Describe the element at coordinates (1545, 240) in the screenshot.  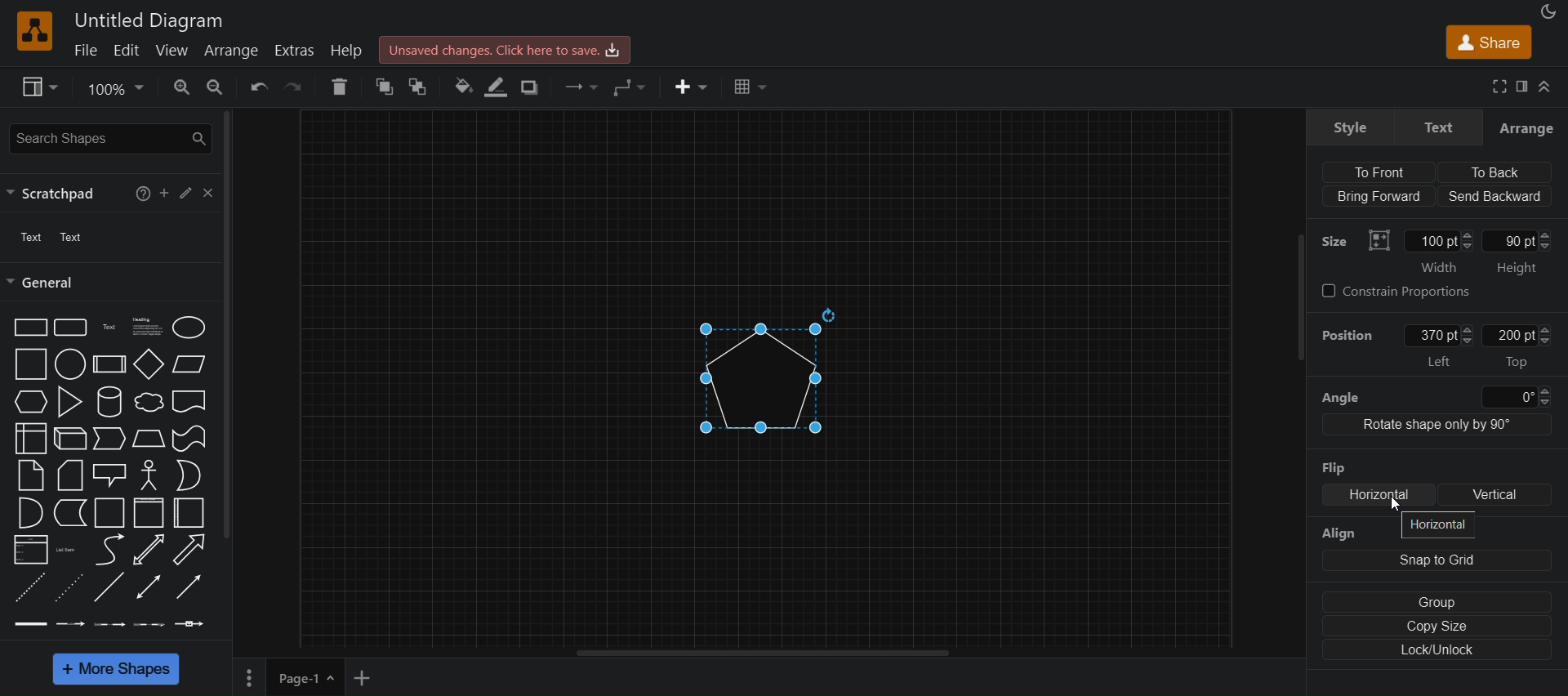
I see `Increase/Decrease height` at that location.